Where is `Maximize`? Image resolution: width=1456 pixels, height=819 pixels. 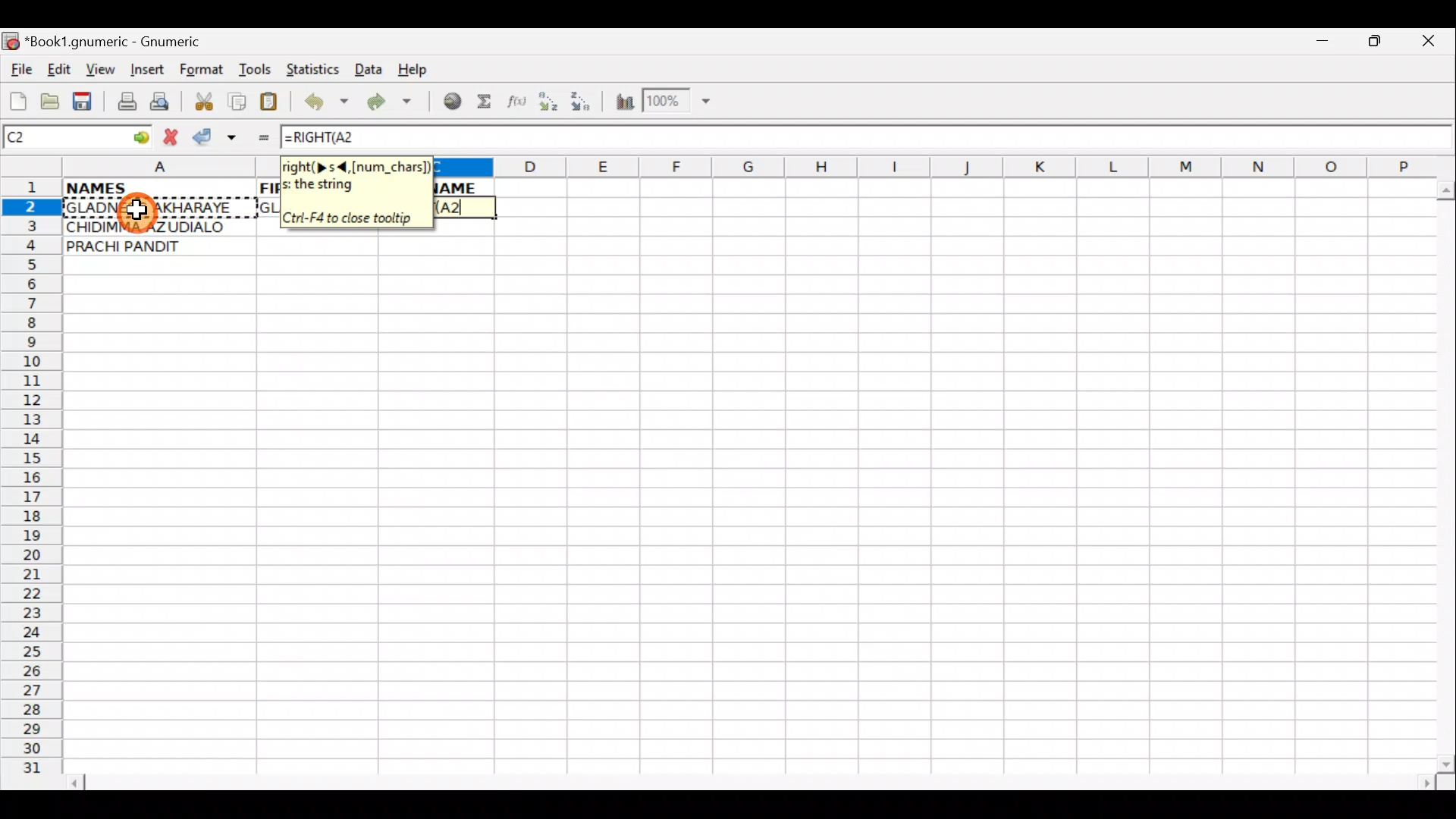
Maximize is located at coordinates (1377, 44).